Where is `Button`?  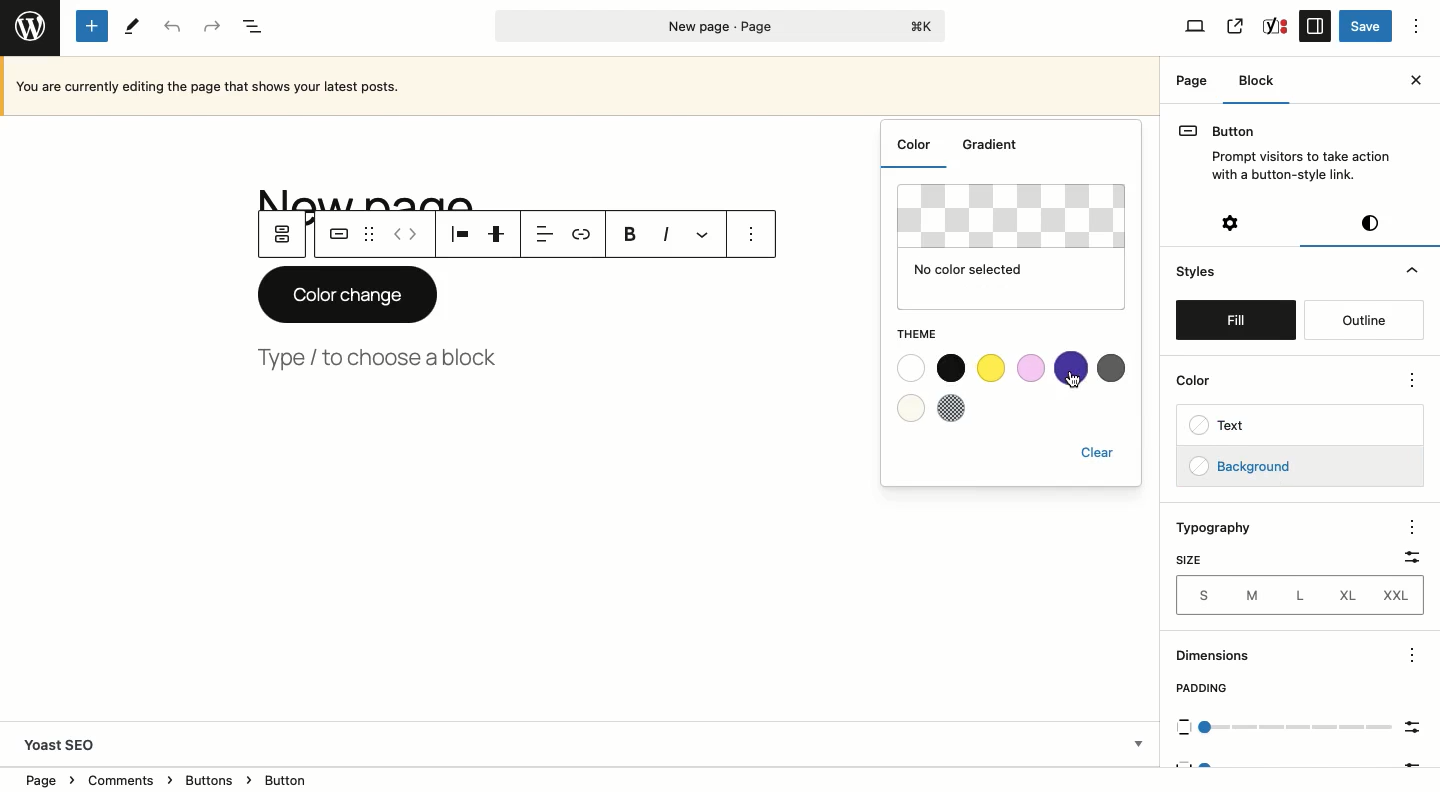
Button is located at coordinates (1284, 148).